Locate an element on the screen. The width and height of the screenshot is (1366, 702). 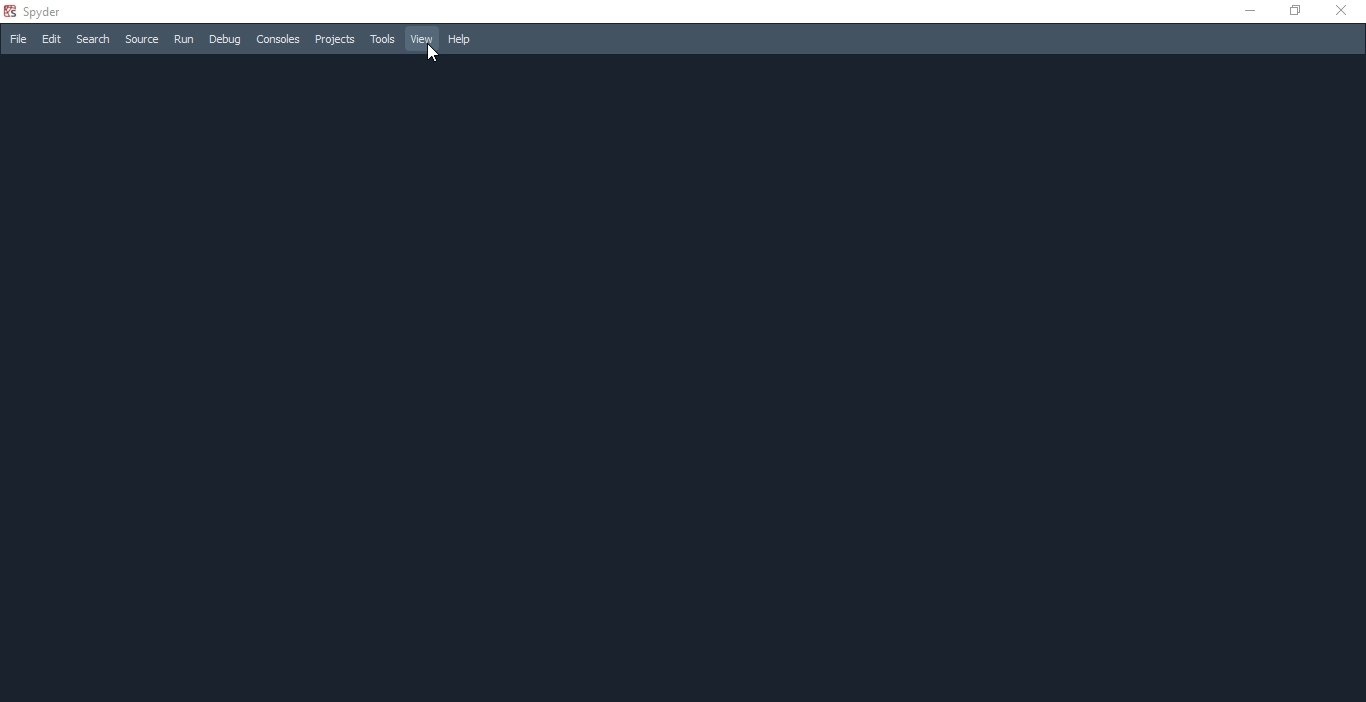
Debug is located at coordinates (224, 40).